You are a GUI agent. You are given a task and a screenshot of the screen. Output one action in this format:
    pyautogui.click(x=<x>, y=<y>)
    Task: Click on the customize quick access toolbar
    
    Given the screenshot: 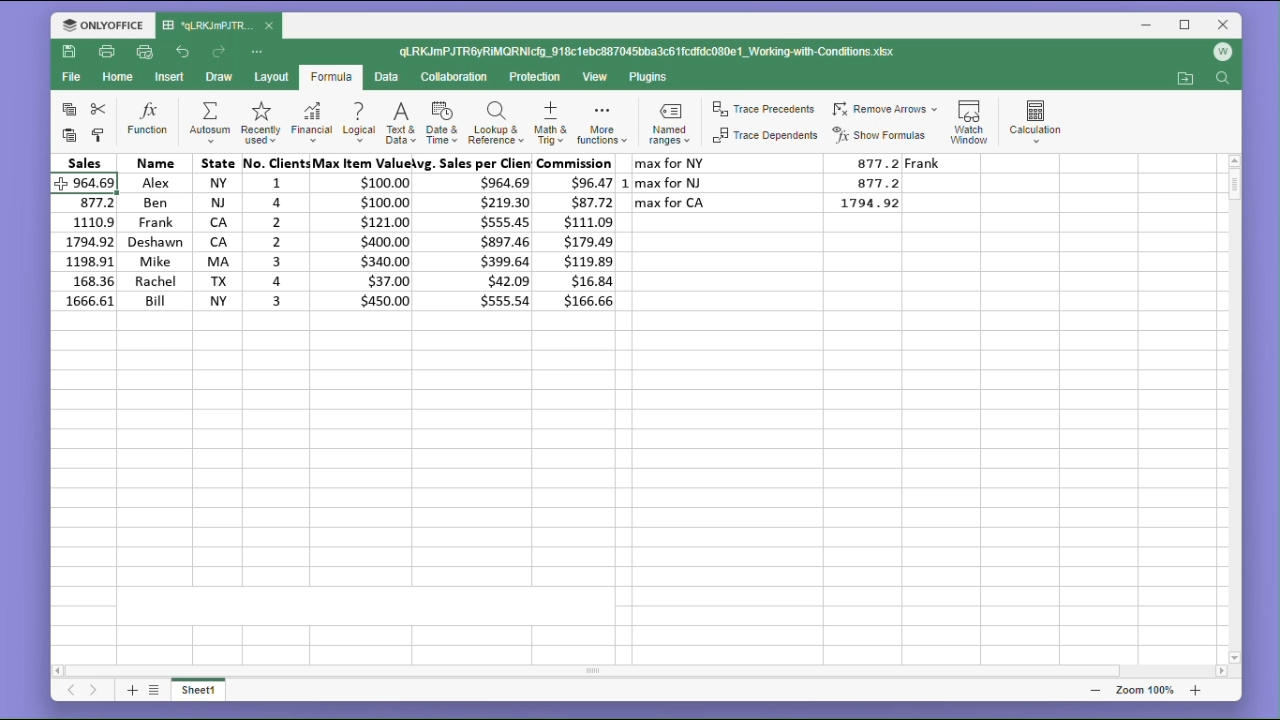 What is the action you would take?
    pyautogui.click(x=264, y=51)
    